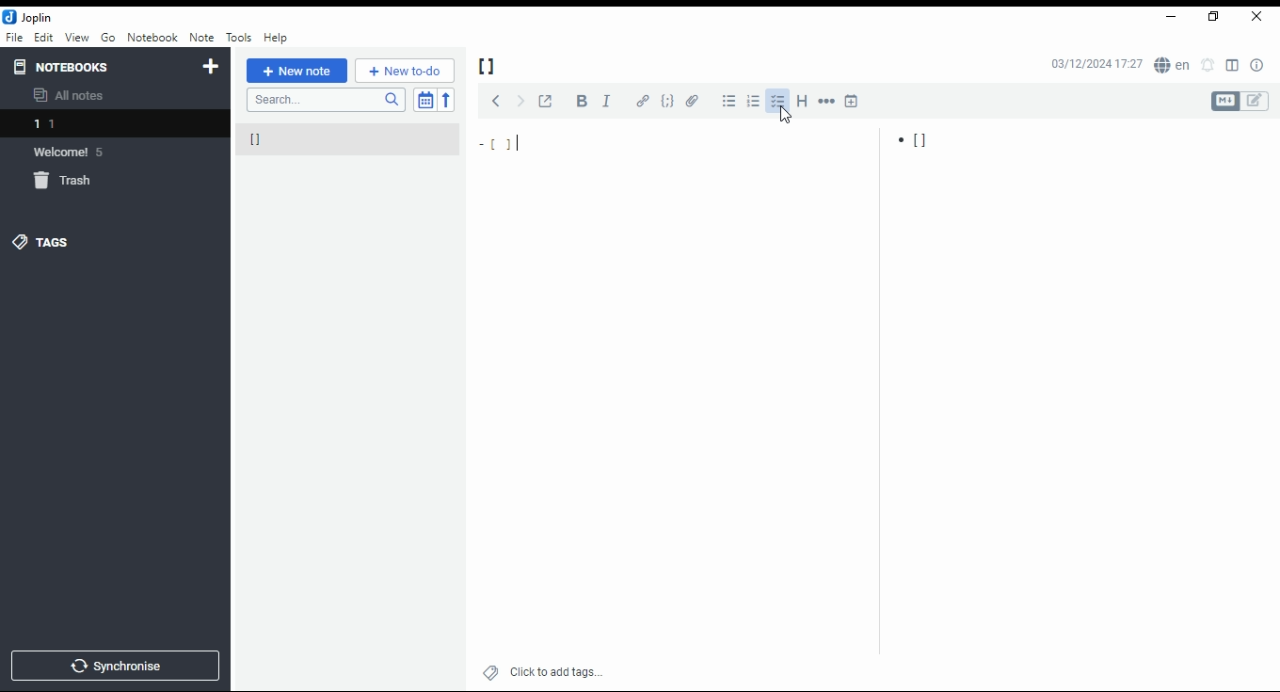  I want to click on insert time, so click(852, 101).